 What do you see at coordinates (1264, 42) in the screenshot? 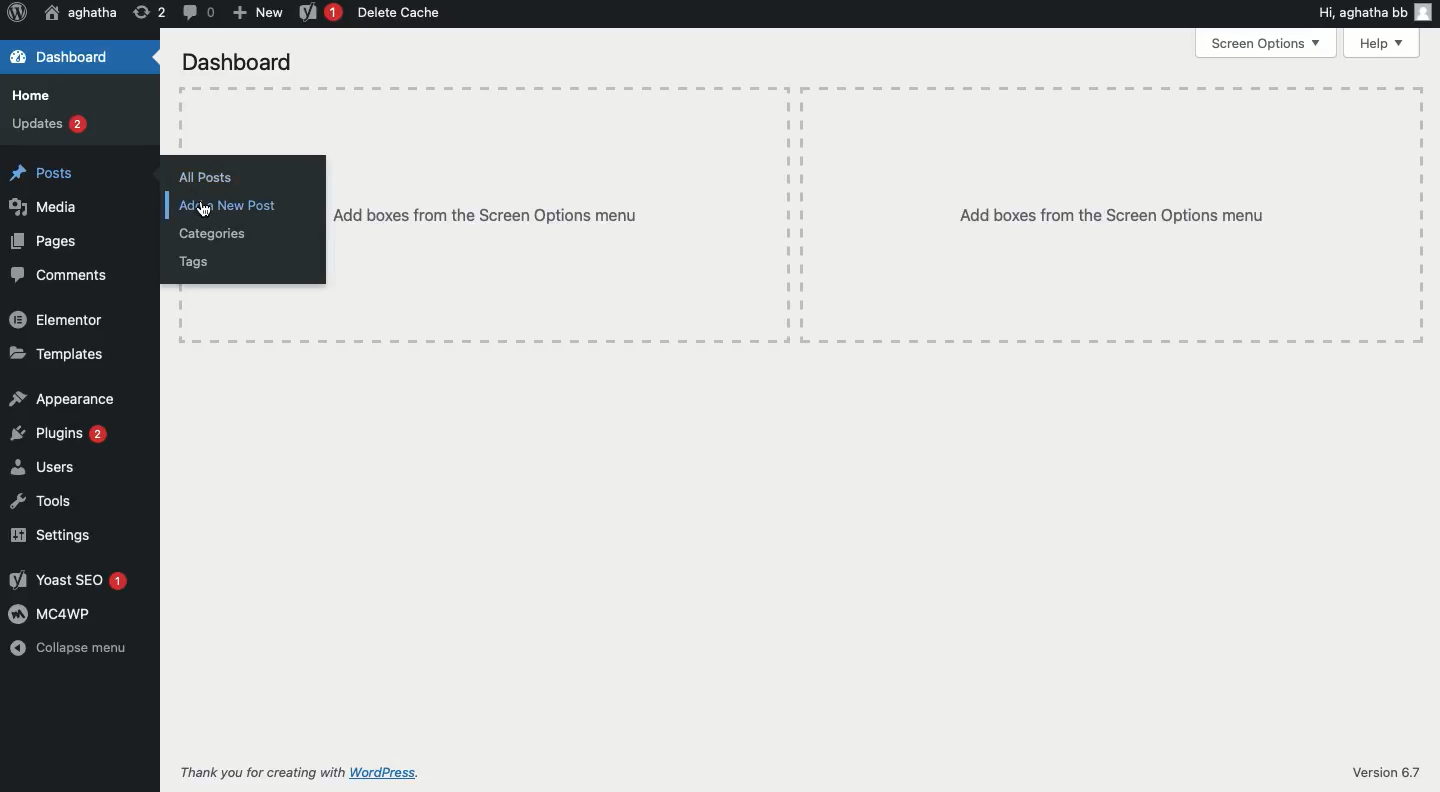
I see `Screen Options` at bounding box center [1264, 42].